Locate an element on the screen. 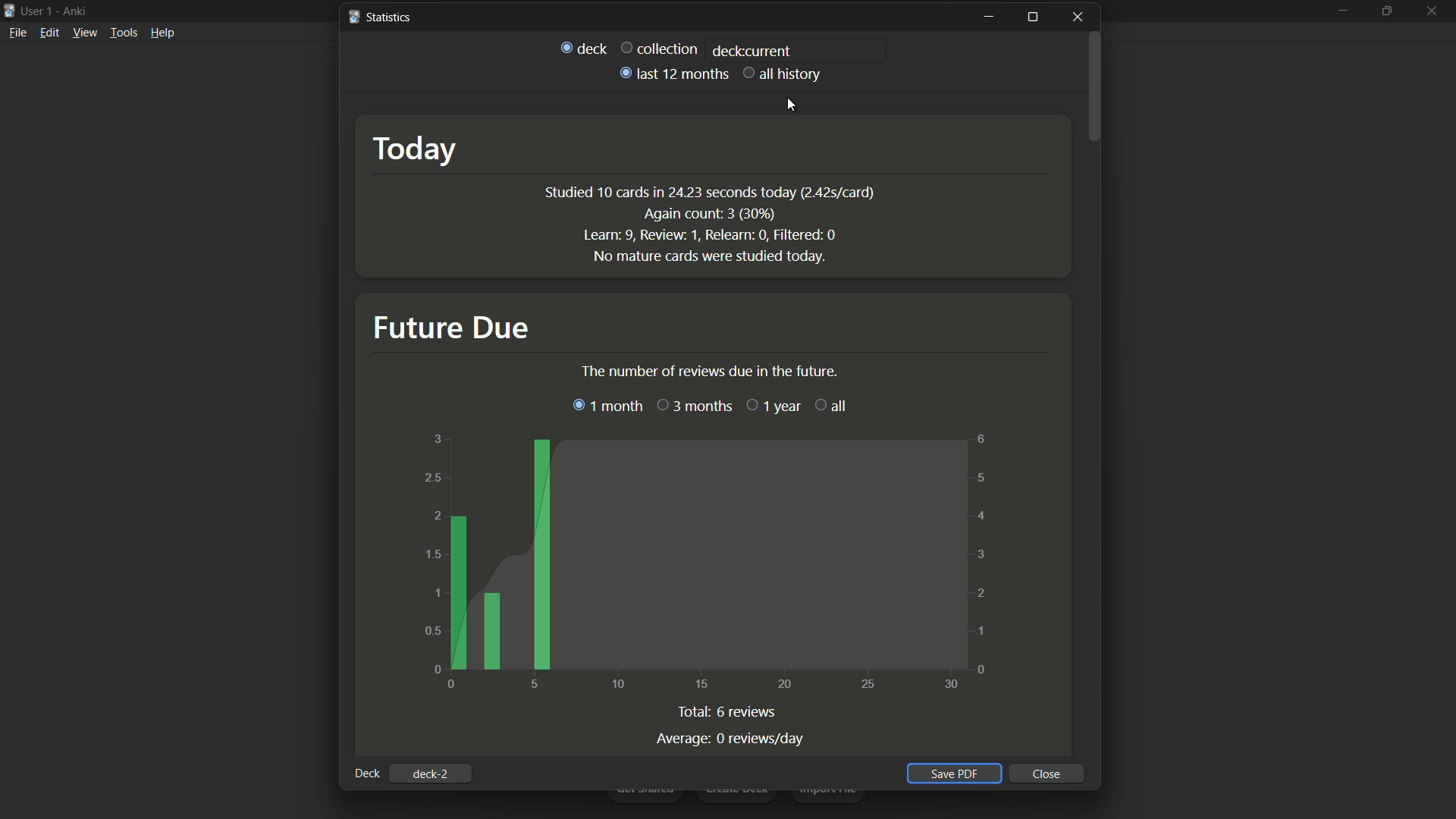 The height and width of the screenshot is (819, 1456). Edit is located at coordinates (49, 35).